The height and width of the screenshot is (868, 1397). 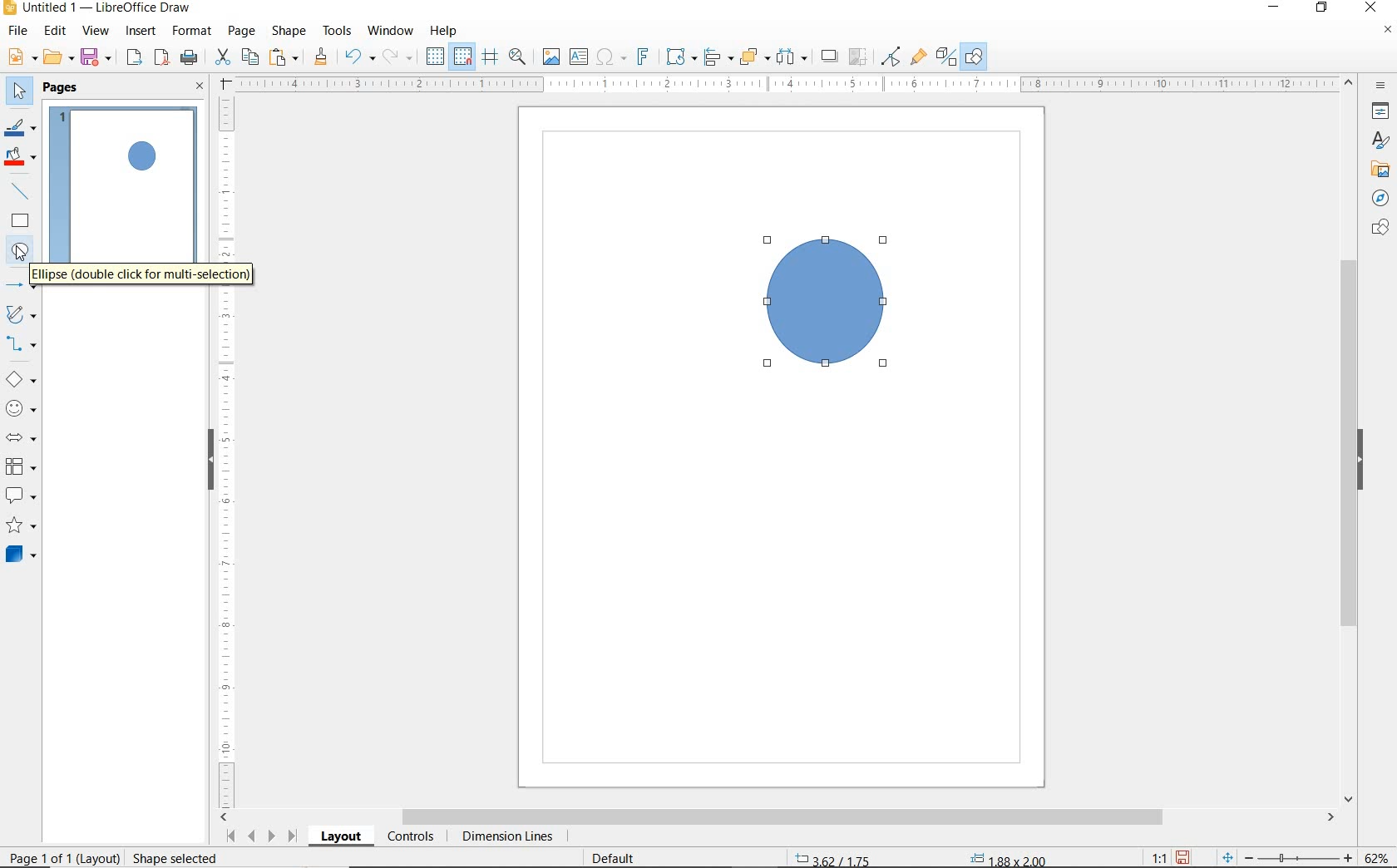 What do you see at coordinates (22, 158) in the screenshot?
I see `FILL COLOR` at bounding box center [22, 158].